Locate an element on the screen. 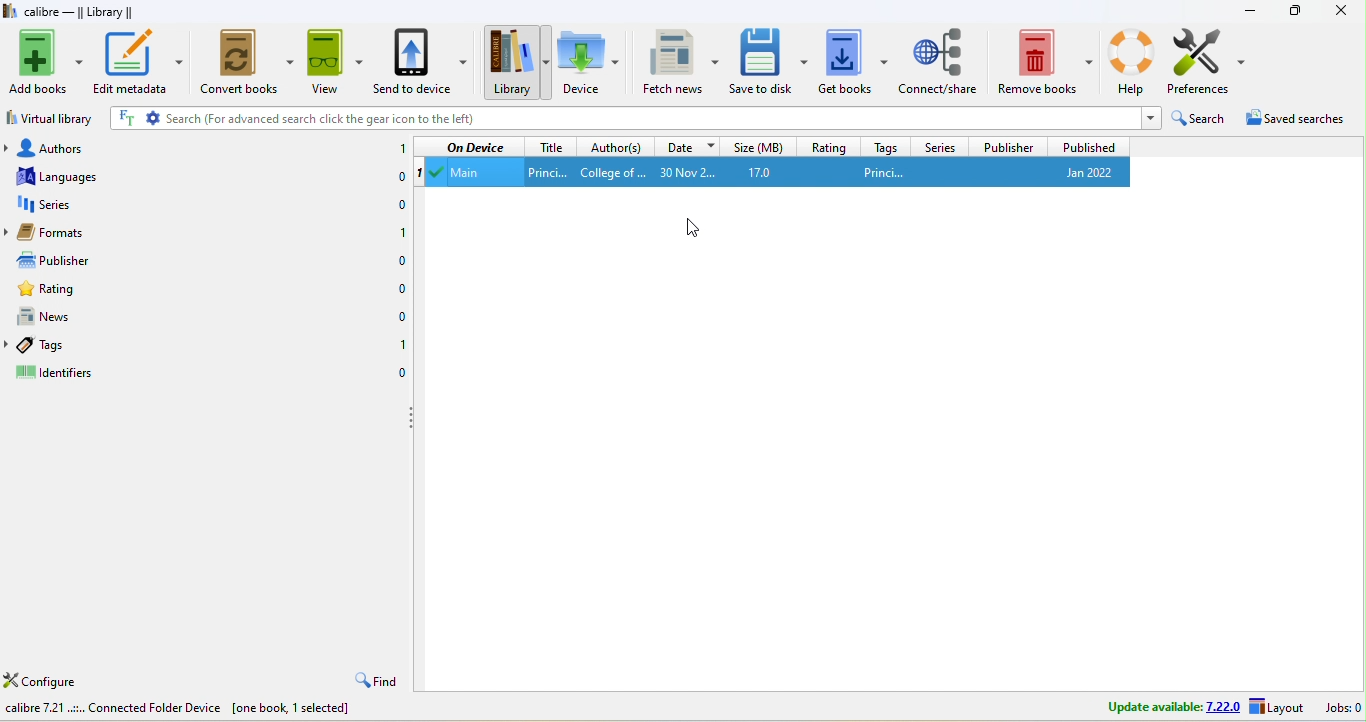 The width and height of the screenshot is (1366, 722). rating is located at coordinates (61, 290).